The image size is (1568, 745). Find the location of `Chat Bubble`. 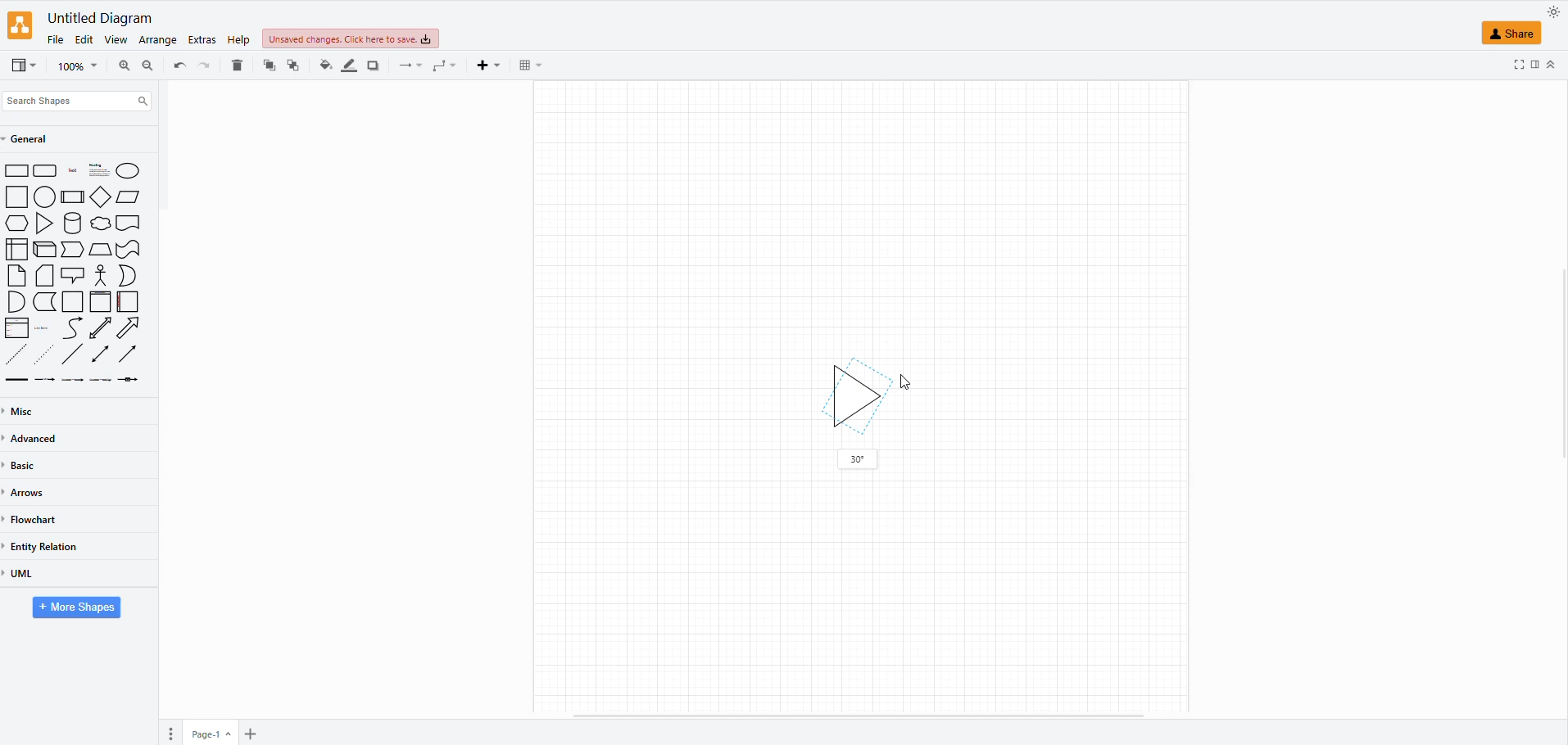

Chat Bubble is located at coordinates (101, 223).